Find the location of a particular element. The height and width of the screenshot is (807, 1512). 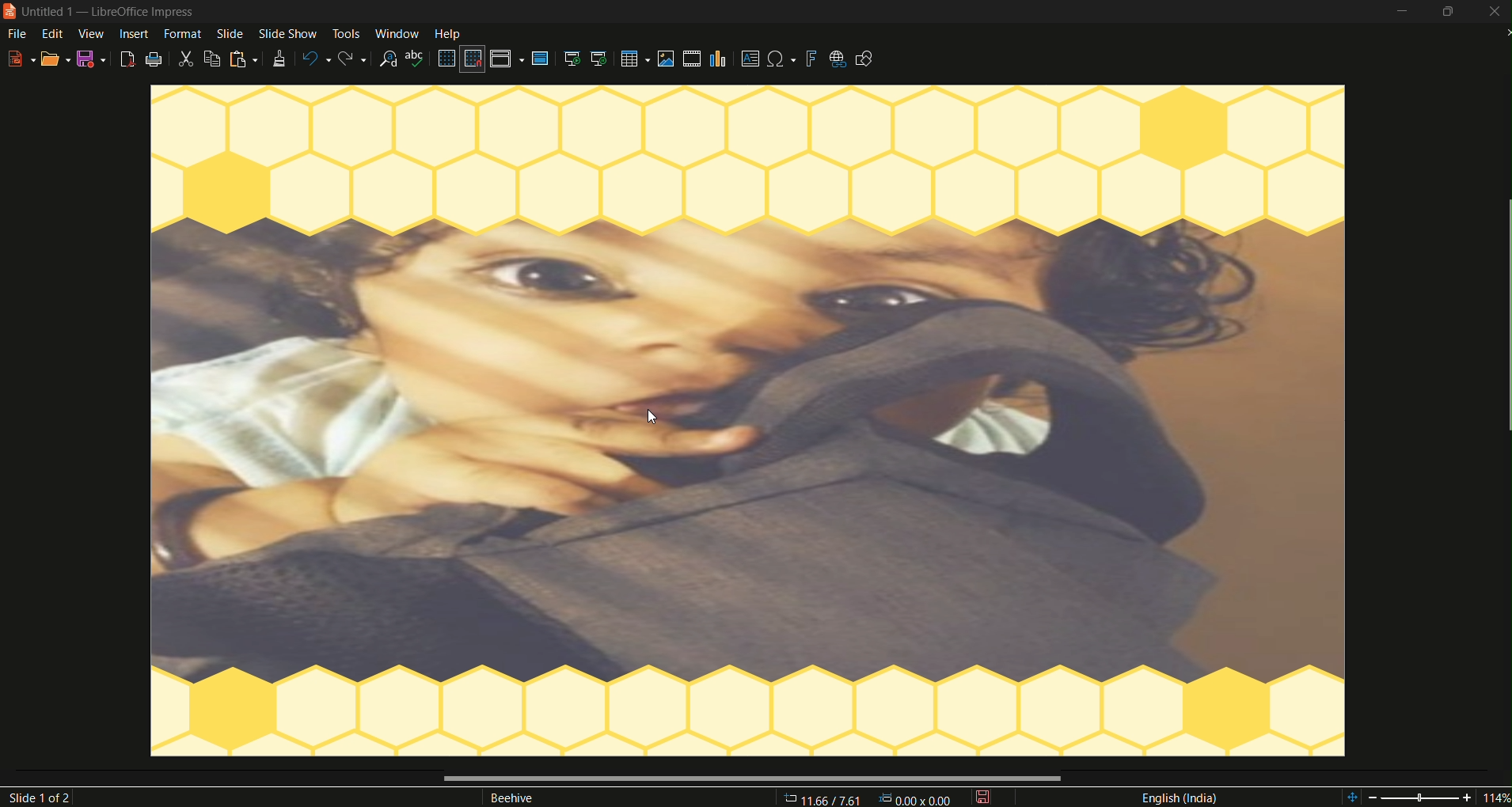

image is located at coordinates (746, 419).